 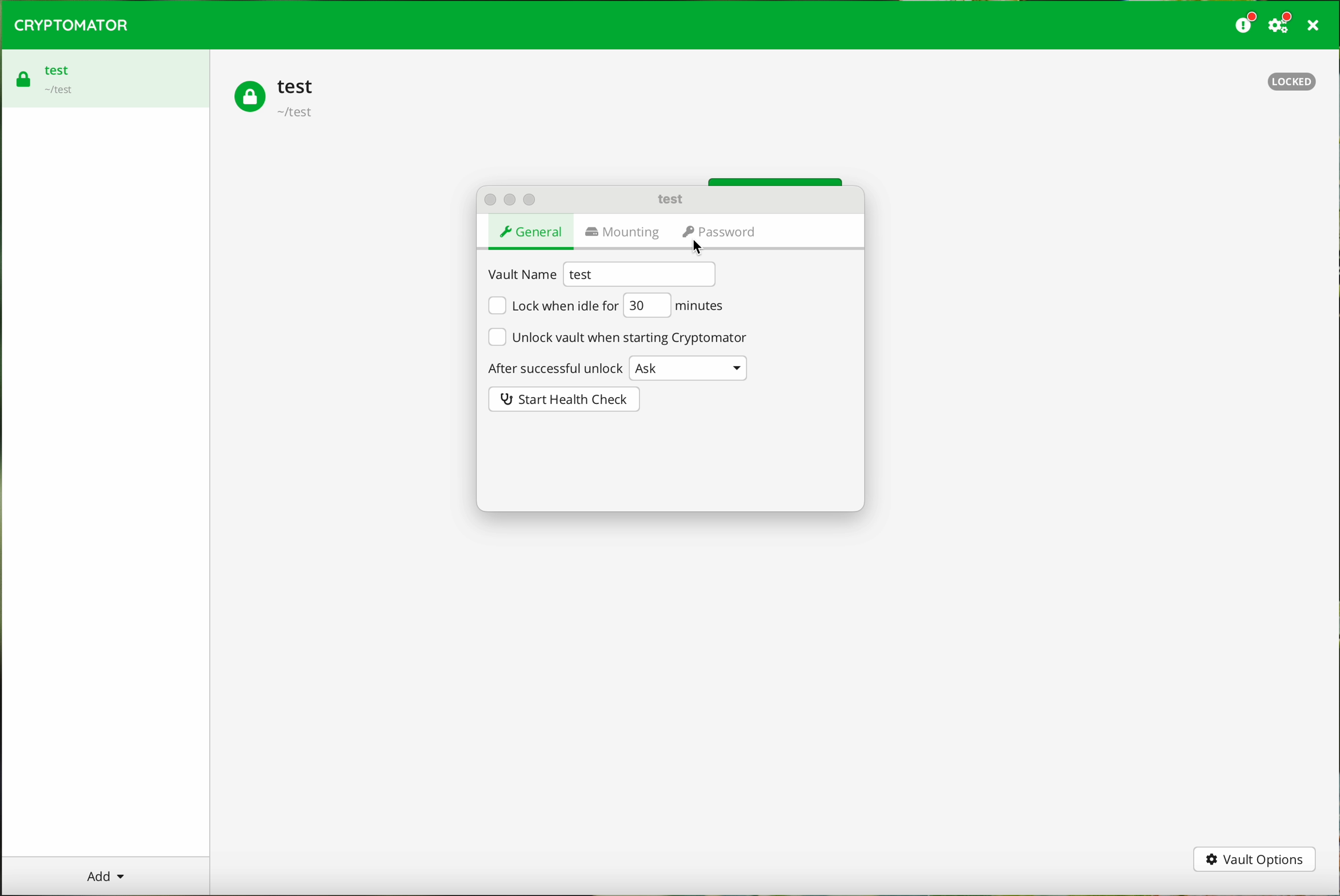 I want to click on start health check, so click(x=565, y=399).